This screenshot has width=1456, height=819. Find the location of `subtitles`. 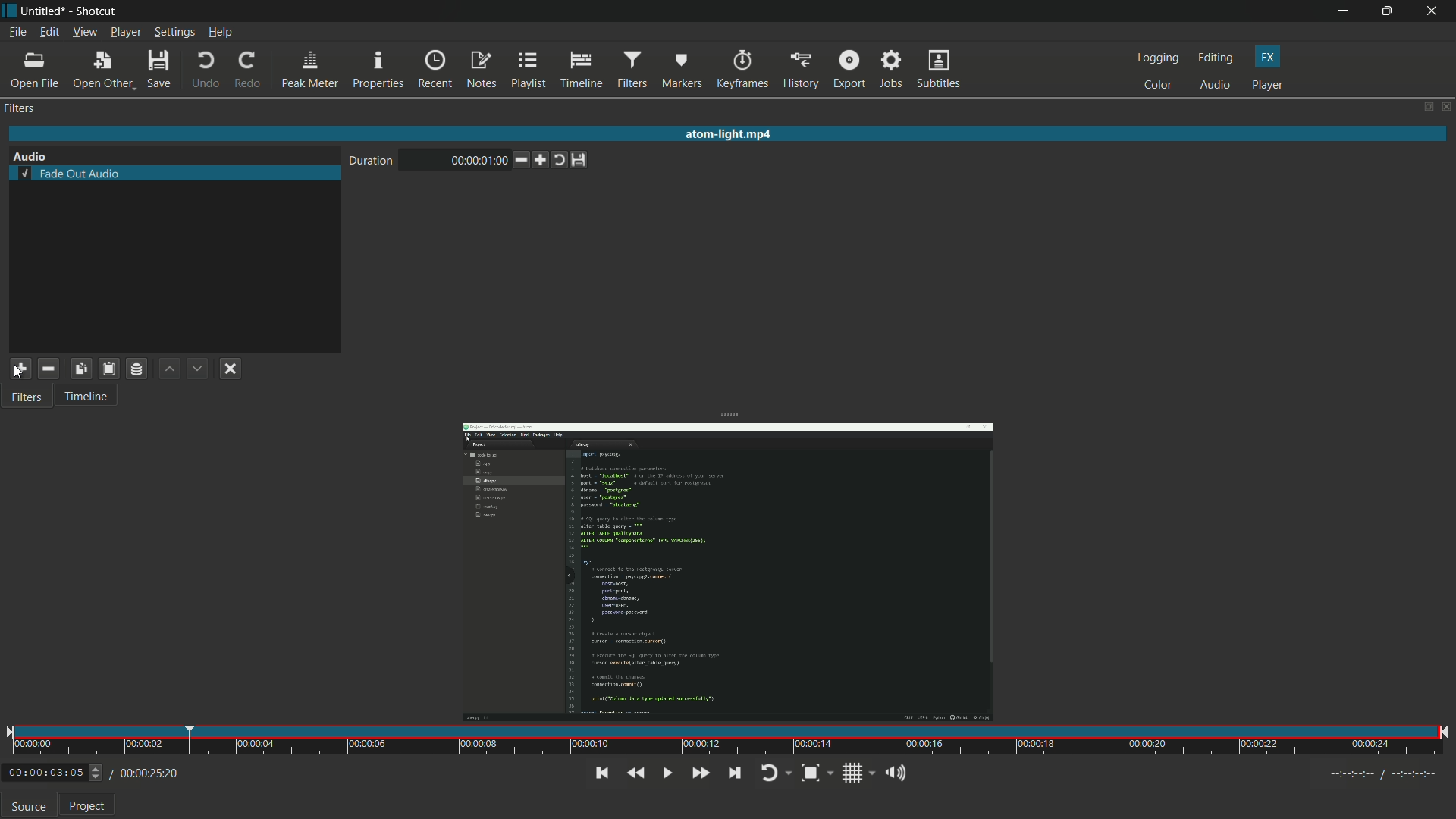

subtitles is located at coordinates (938, 69).